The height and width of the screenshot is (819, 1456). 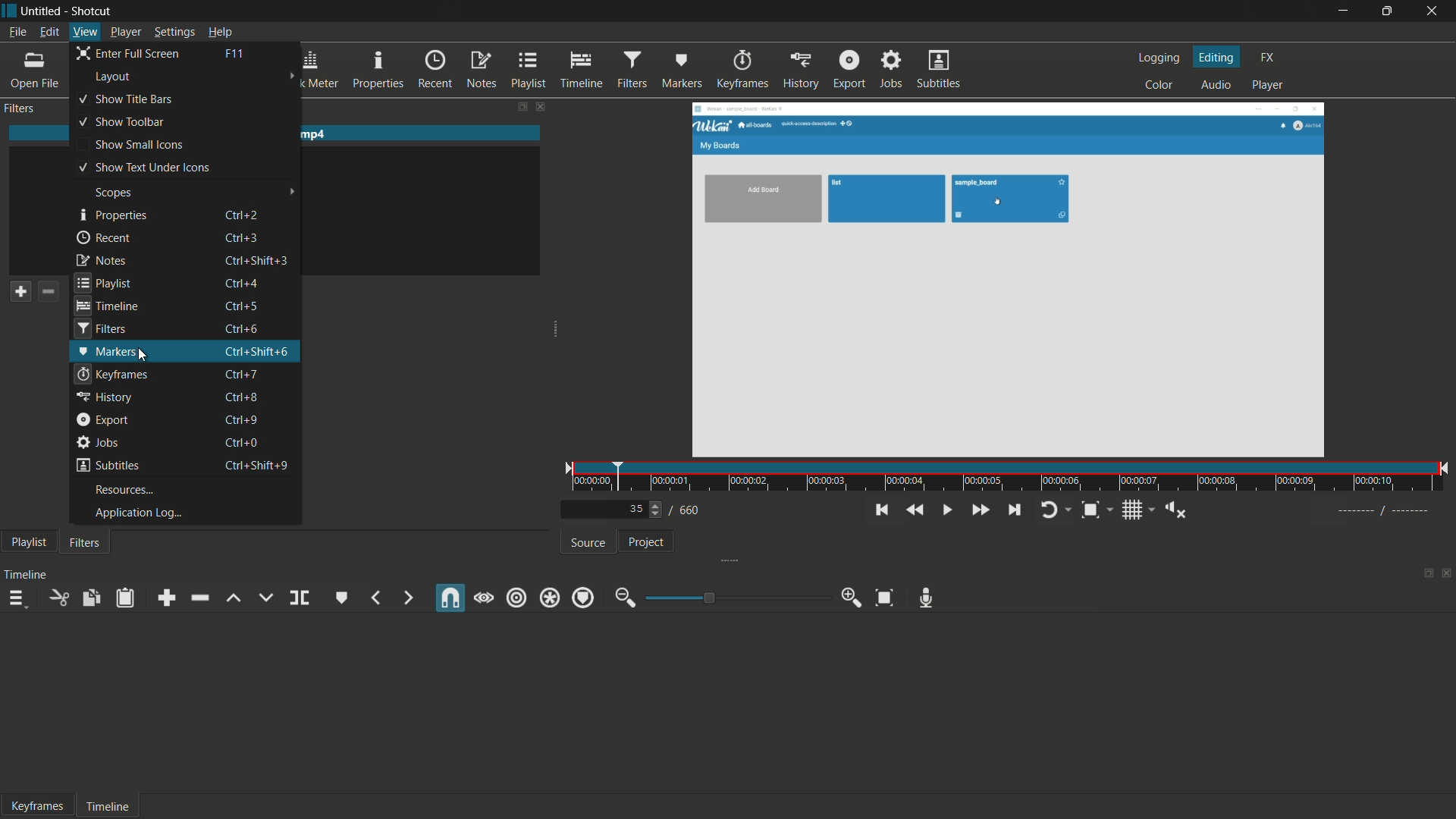 I want to click on playlist, so click(x=526, y=71).